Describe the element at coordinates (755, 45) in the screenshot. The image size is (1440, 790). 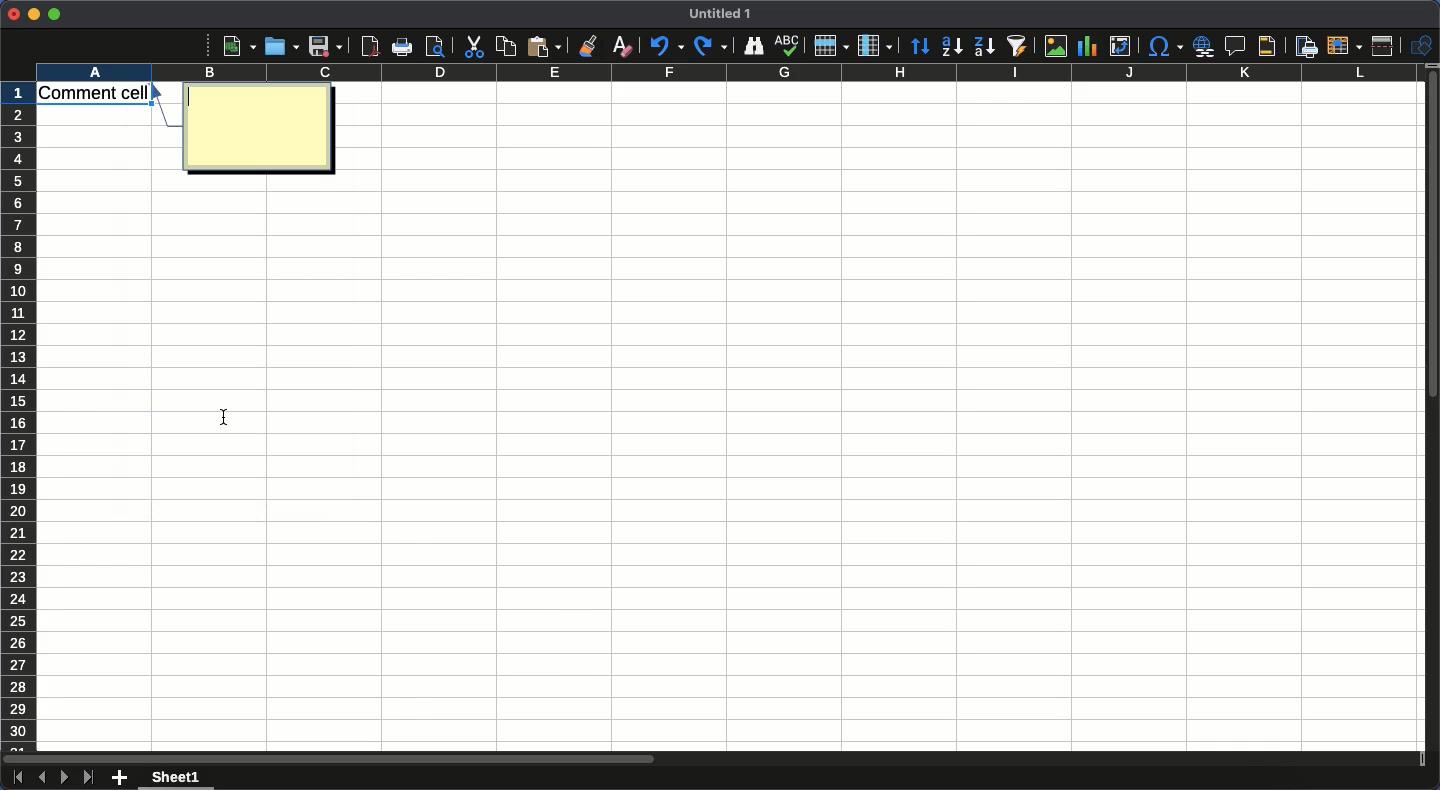
I see `Finder` at that location.